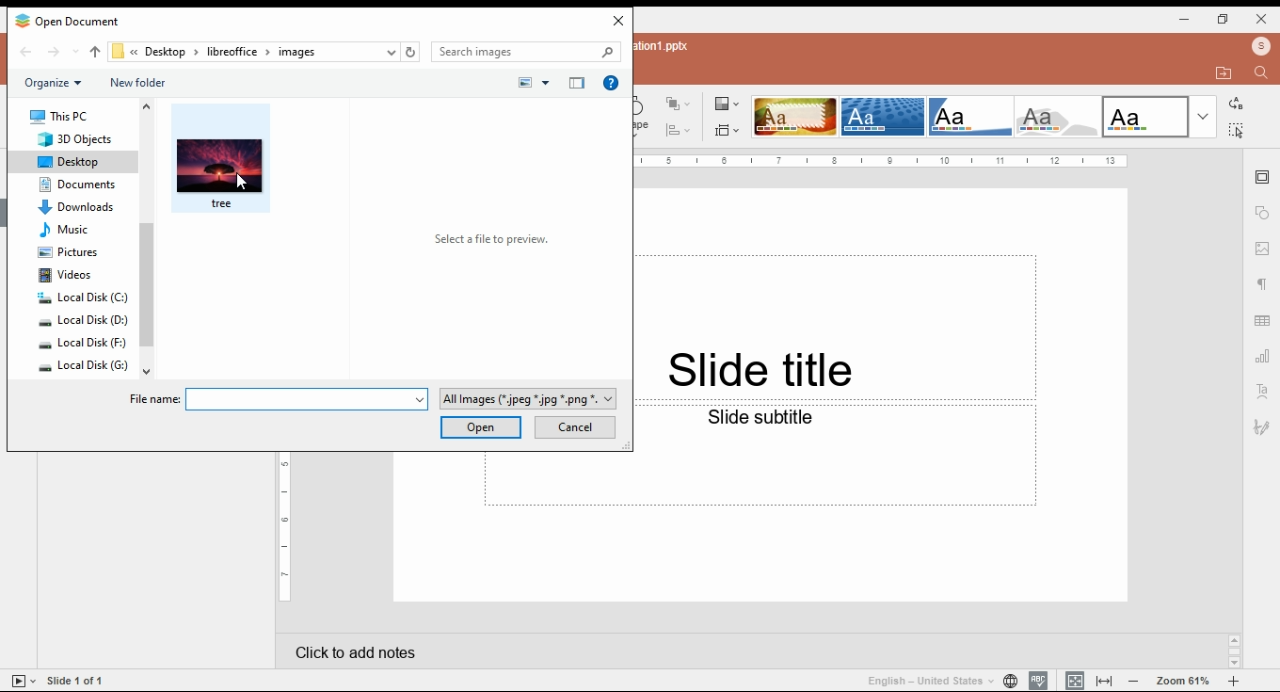 Image resolution: width=1280 pixels, height=692 pixels. What do you see at coordinates (493, 239) in the screenshot?
I see `Select a file to preview.` at bounding box center [493, 239].